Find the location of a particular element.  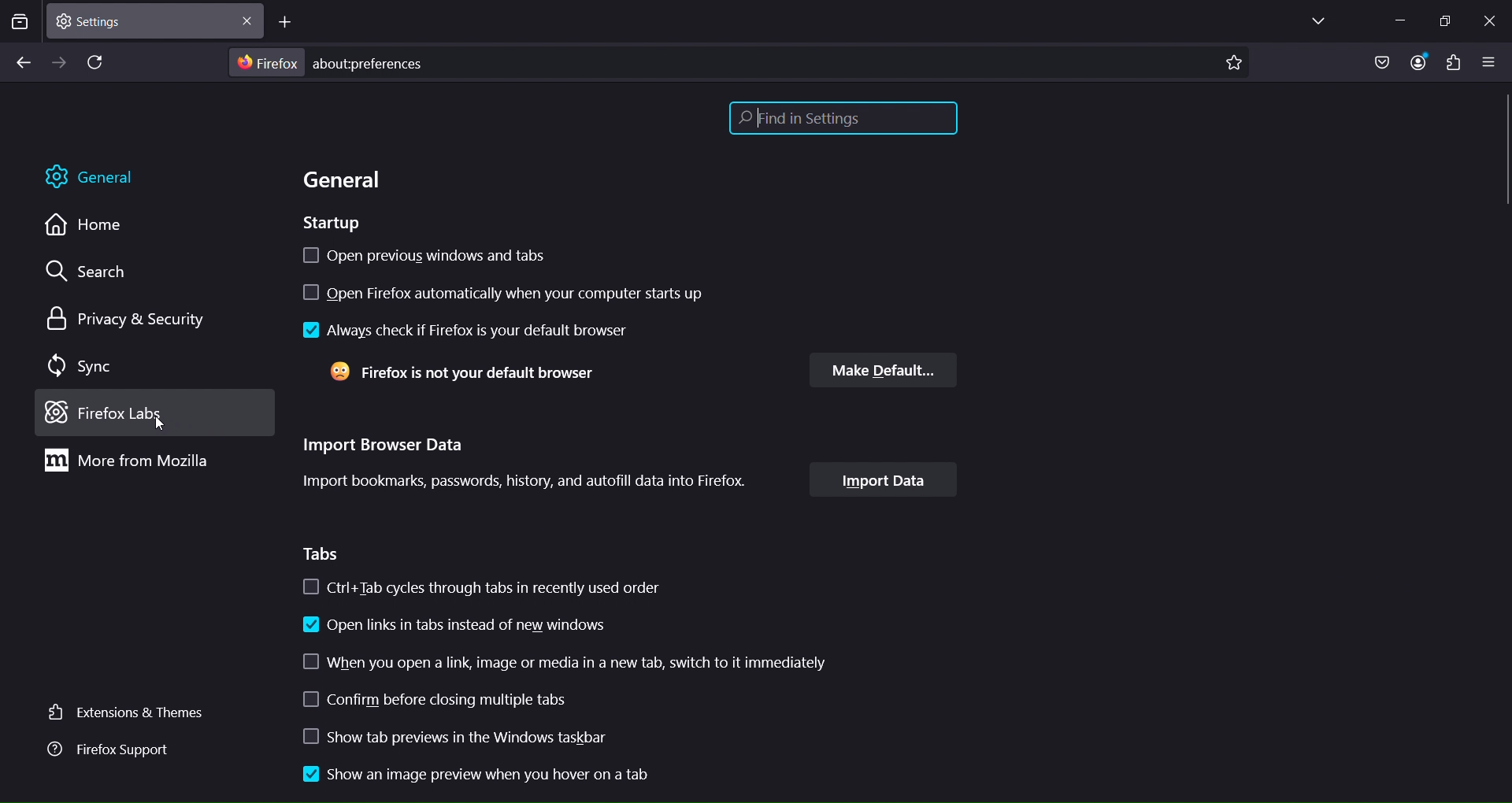

general is located at coordinates (96, 177).